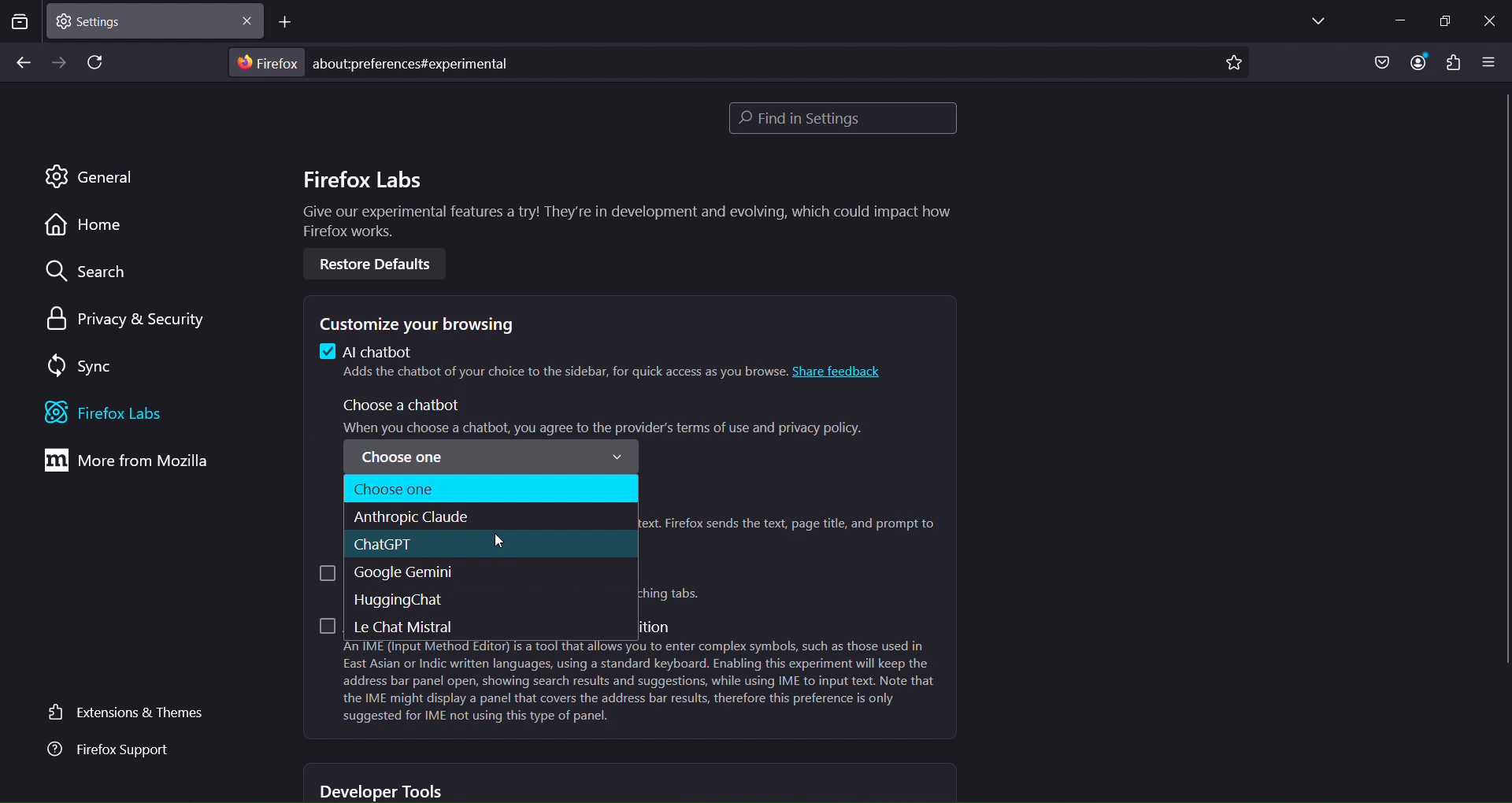  Describe the element at coordinates (409, 628) in the screenshot. I see `le chat mistral` at that location.